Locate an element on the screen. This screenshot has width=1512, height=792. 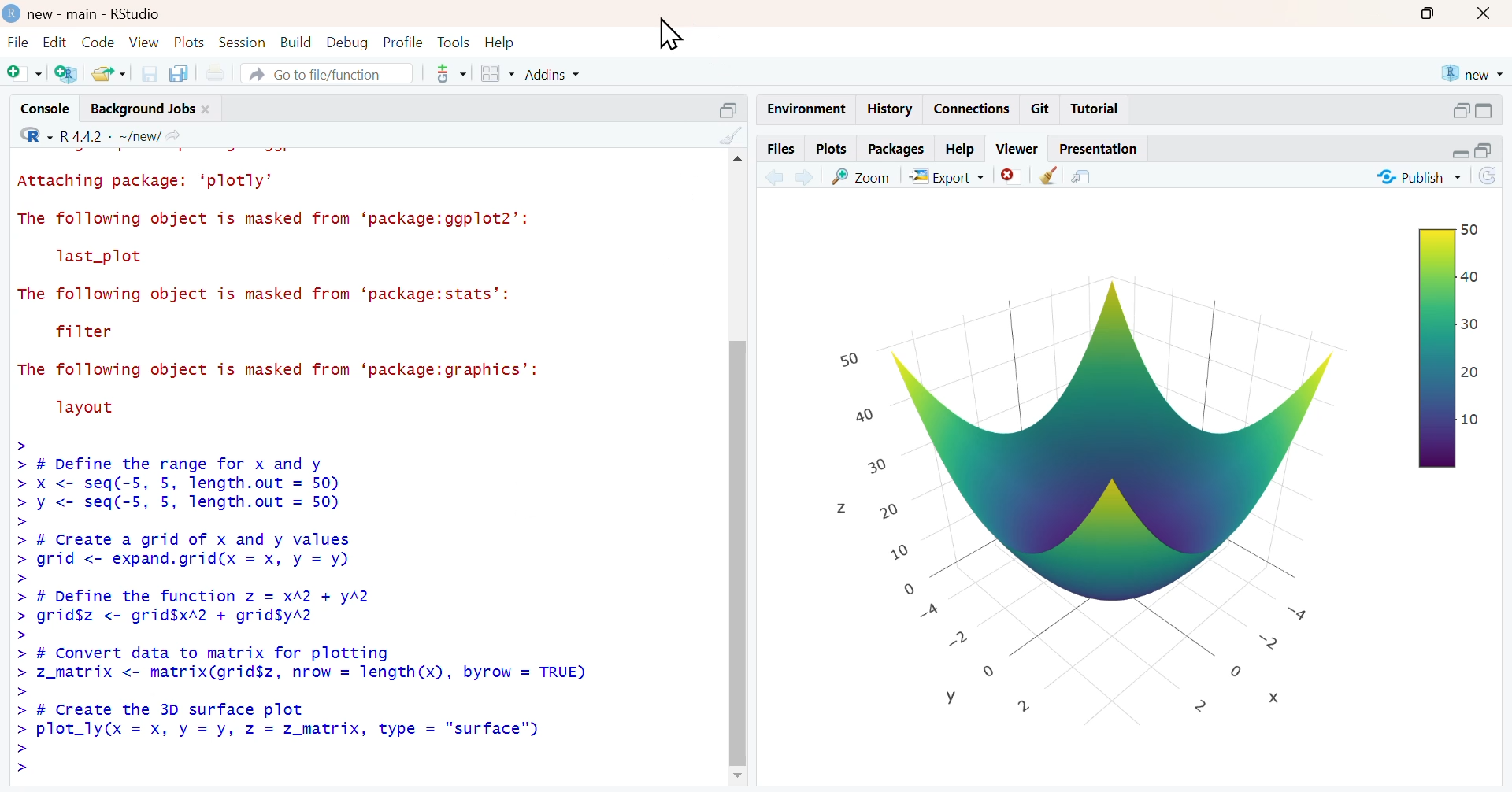
remove the current plot is located at coordinates (1011, 175).